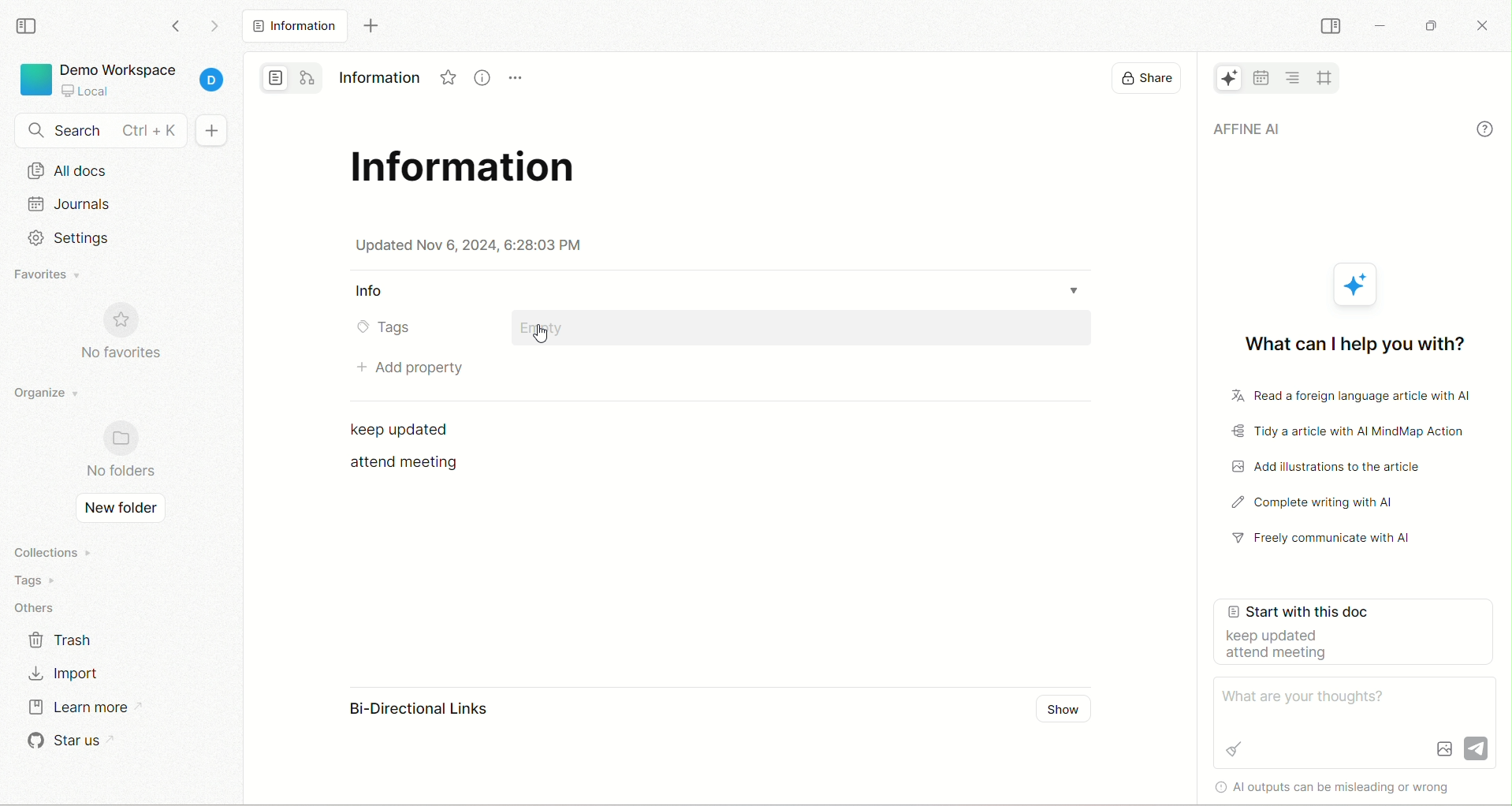 This screenshot has width=1512, height=806. What do you see at coordinates (216, 80) in the screenshot?
I see `account ` at bounding box center [216, 80].